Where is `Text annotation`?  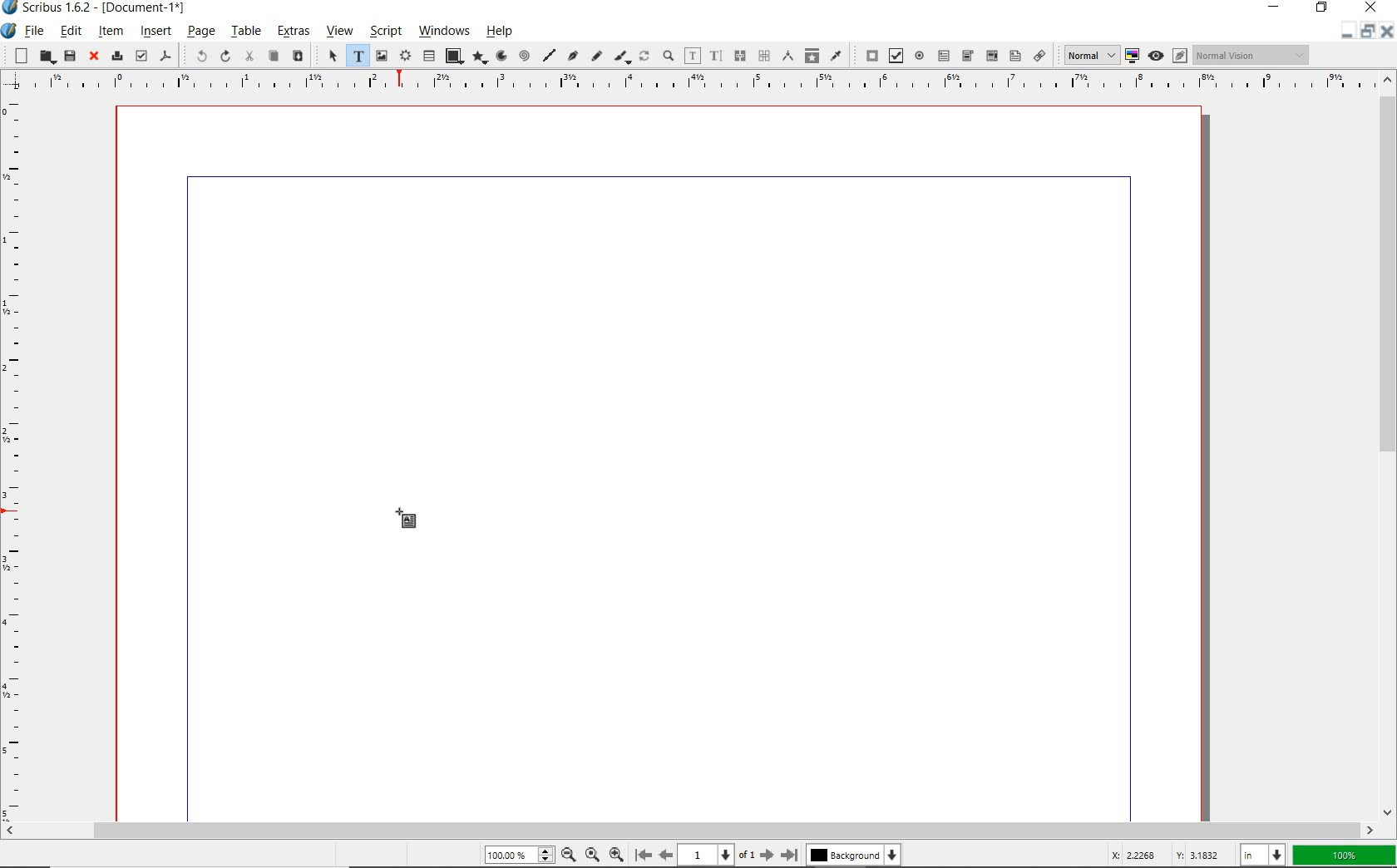 Text annotation is located at coordinates (1014, 57).